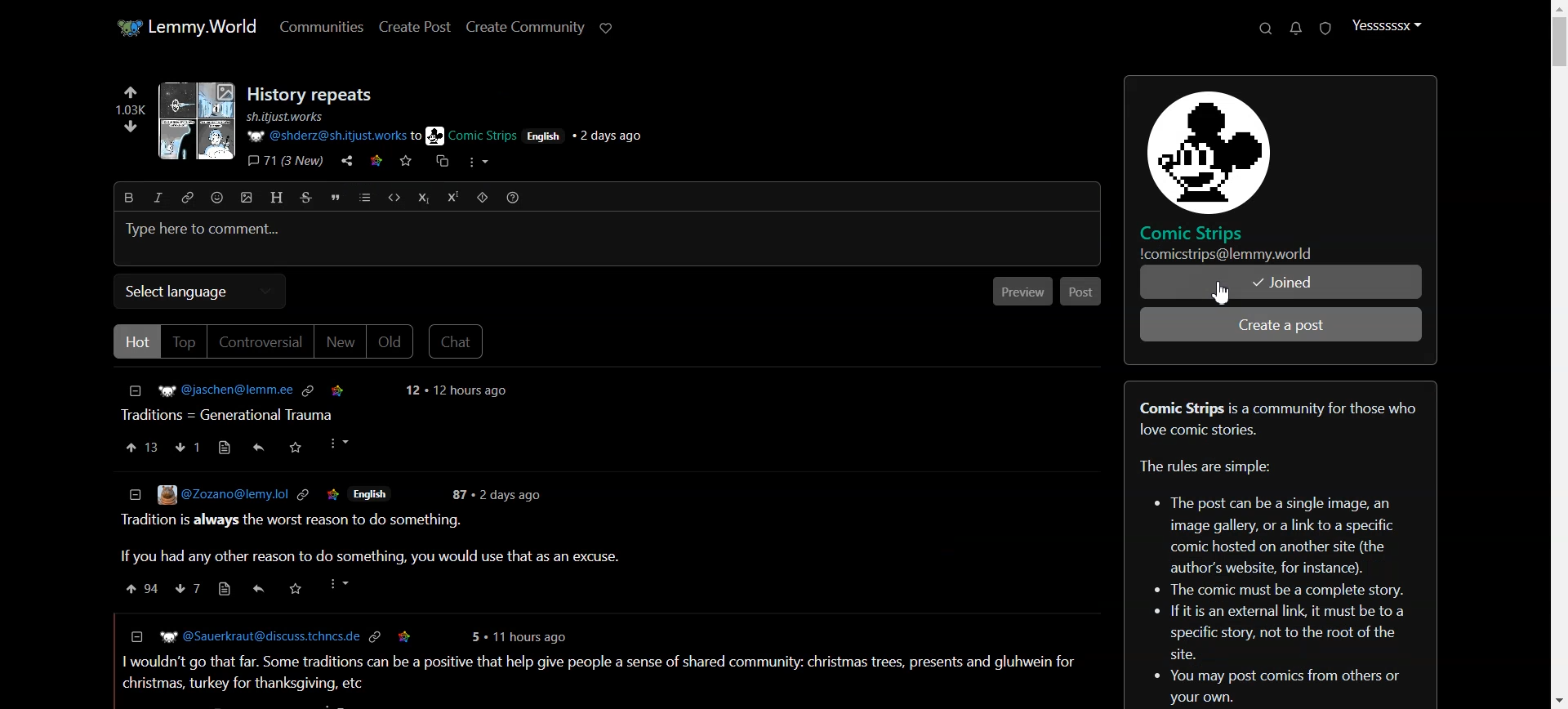 The width and height of the screenshot is (1568, 709). Describe the element at coordinates (186, 197) in the screenshot. I see `Hyperlink` at that location.